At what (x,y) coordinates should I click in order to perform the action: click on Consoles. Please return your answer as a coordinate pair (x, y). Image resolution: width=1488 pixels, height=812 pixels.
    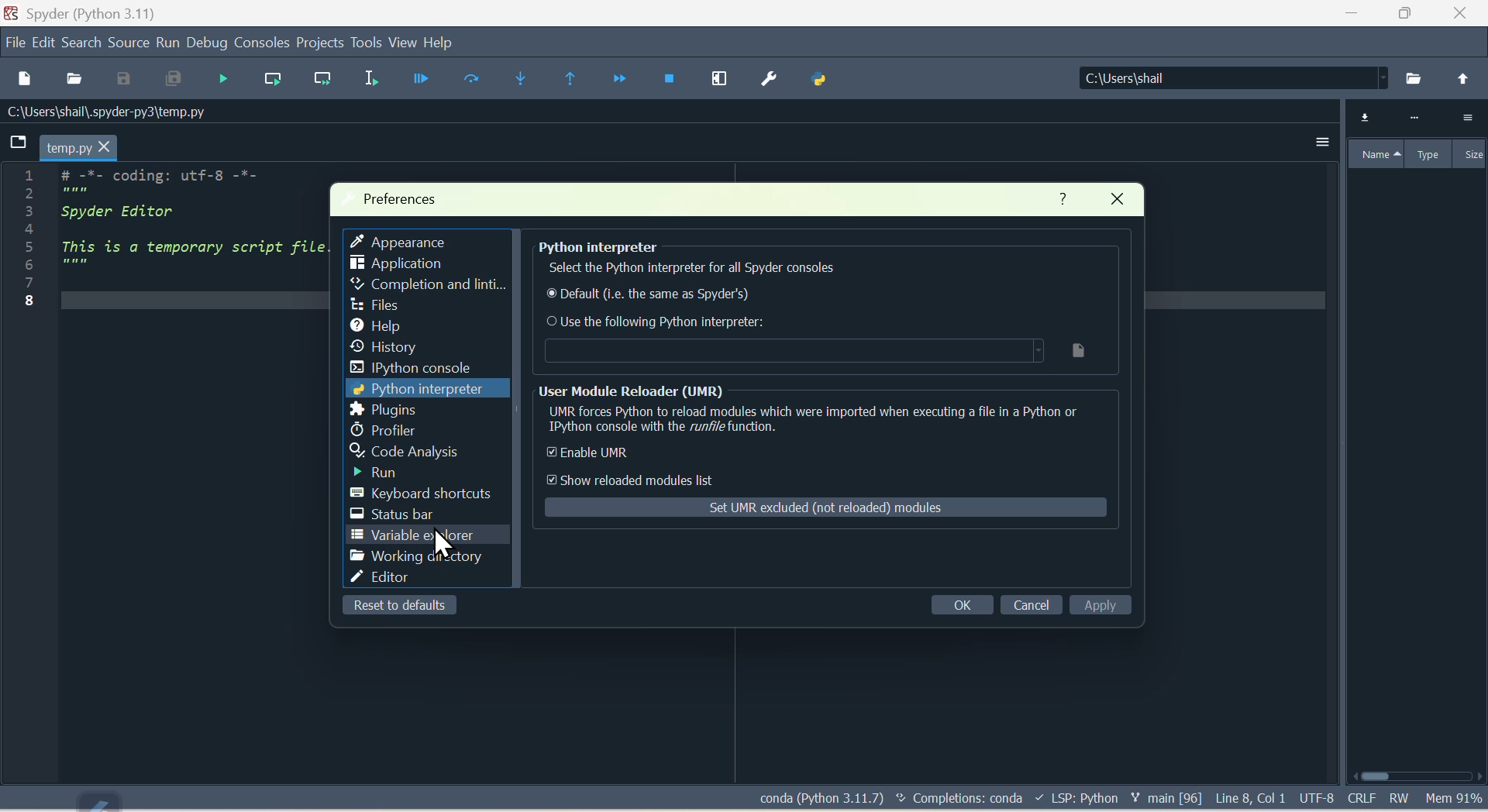
    Looking at the image, I should click on (261, 40).